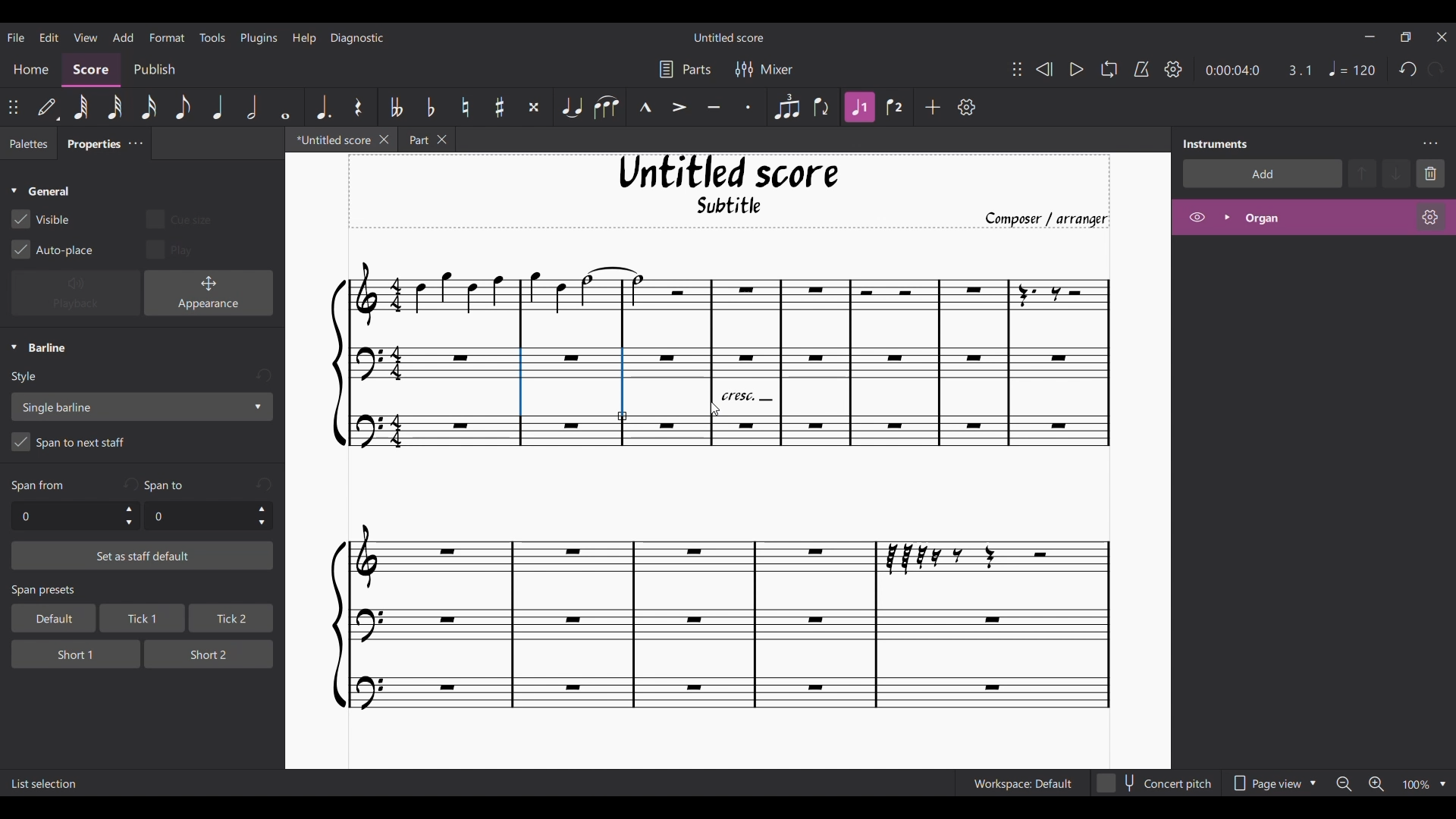  Describe the element at coordinates (786, 107) in the screenshot. I see `Tuplet` at that location.